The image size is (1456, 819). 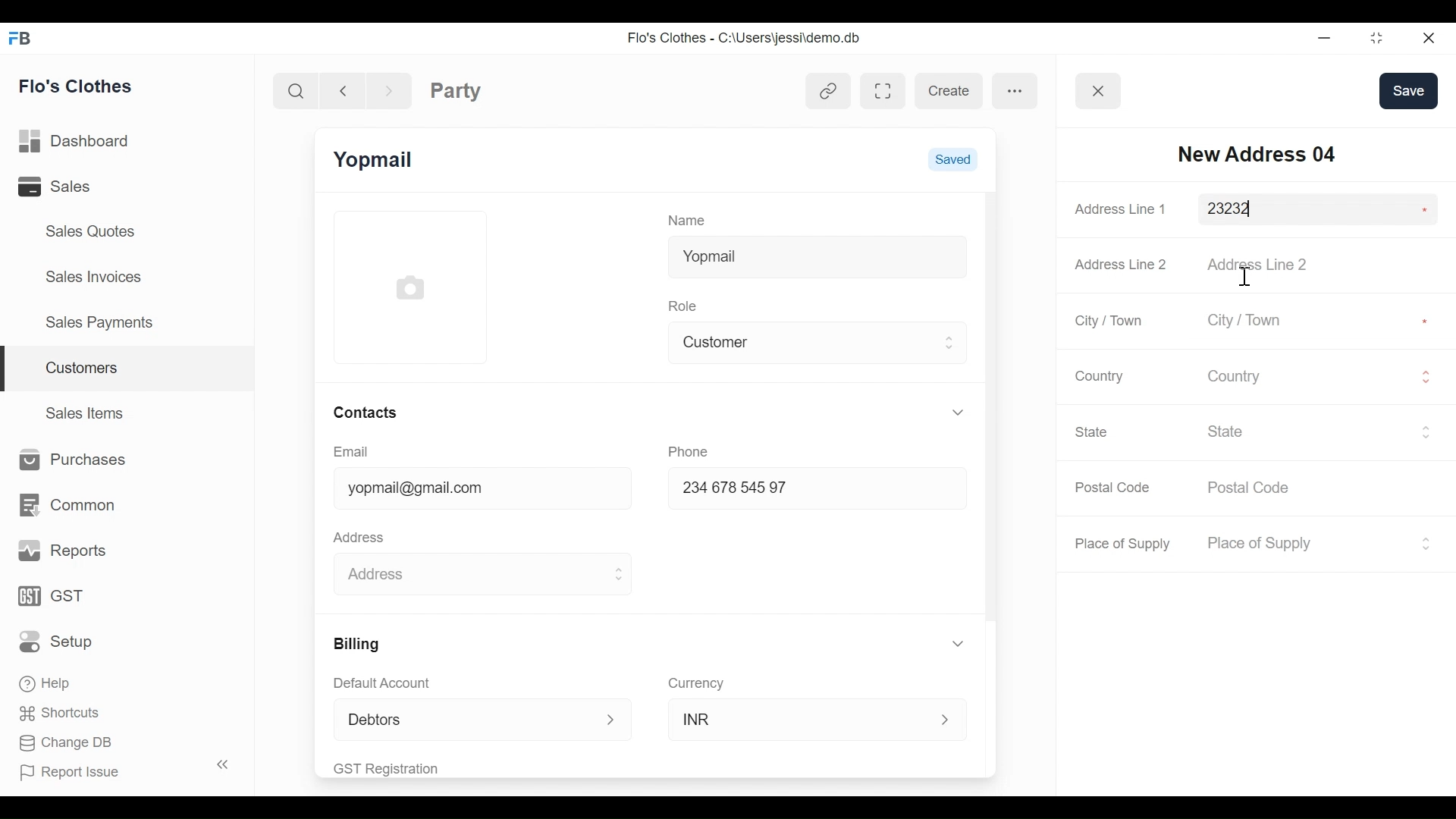 What do you see at coordinates (1425, 543) in the screenshot?
I see `Expand` at bounding box center [1425, 543].